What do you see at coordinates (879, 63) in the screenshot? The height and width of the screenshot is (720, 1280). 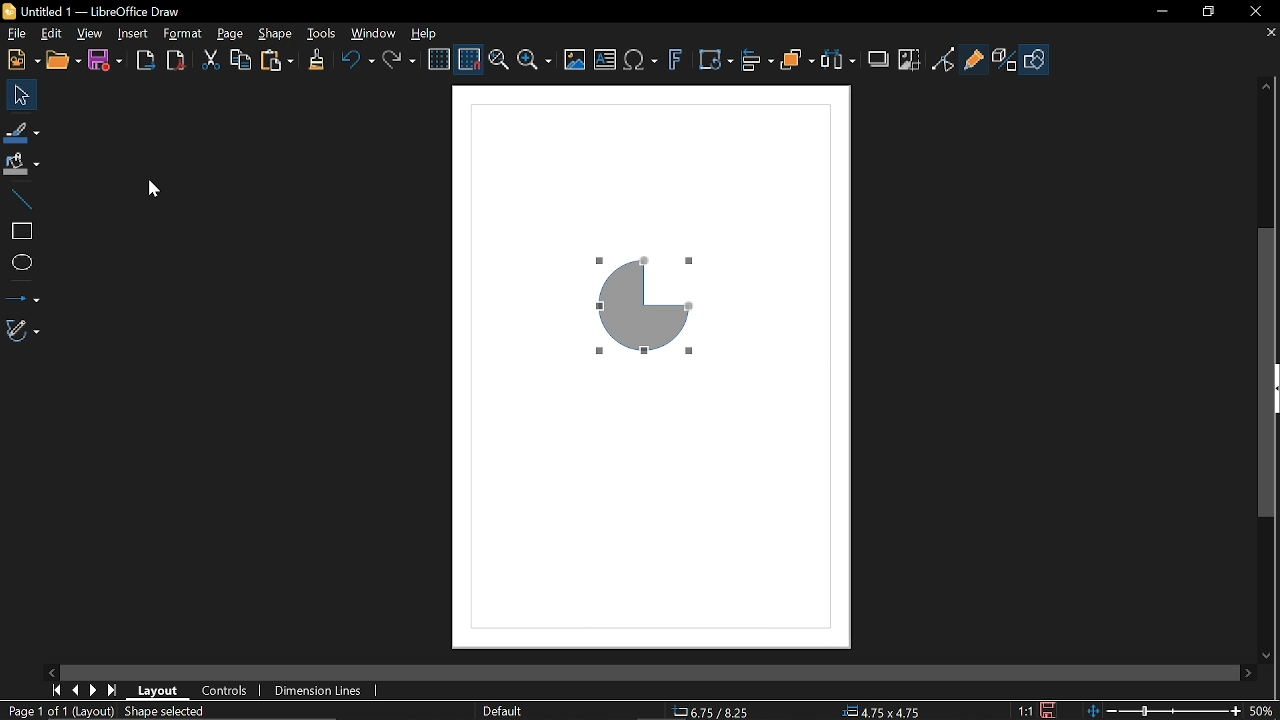 I see `Shadow` at bounding box center [879, 63].